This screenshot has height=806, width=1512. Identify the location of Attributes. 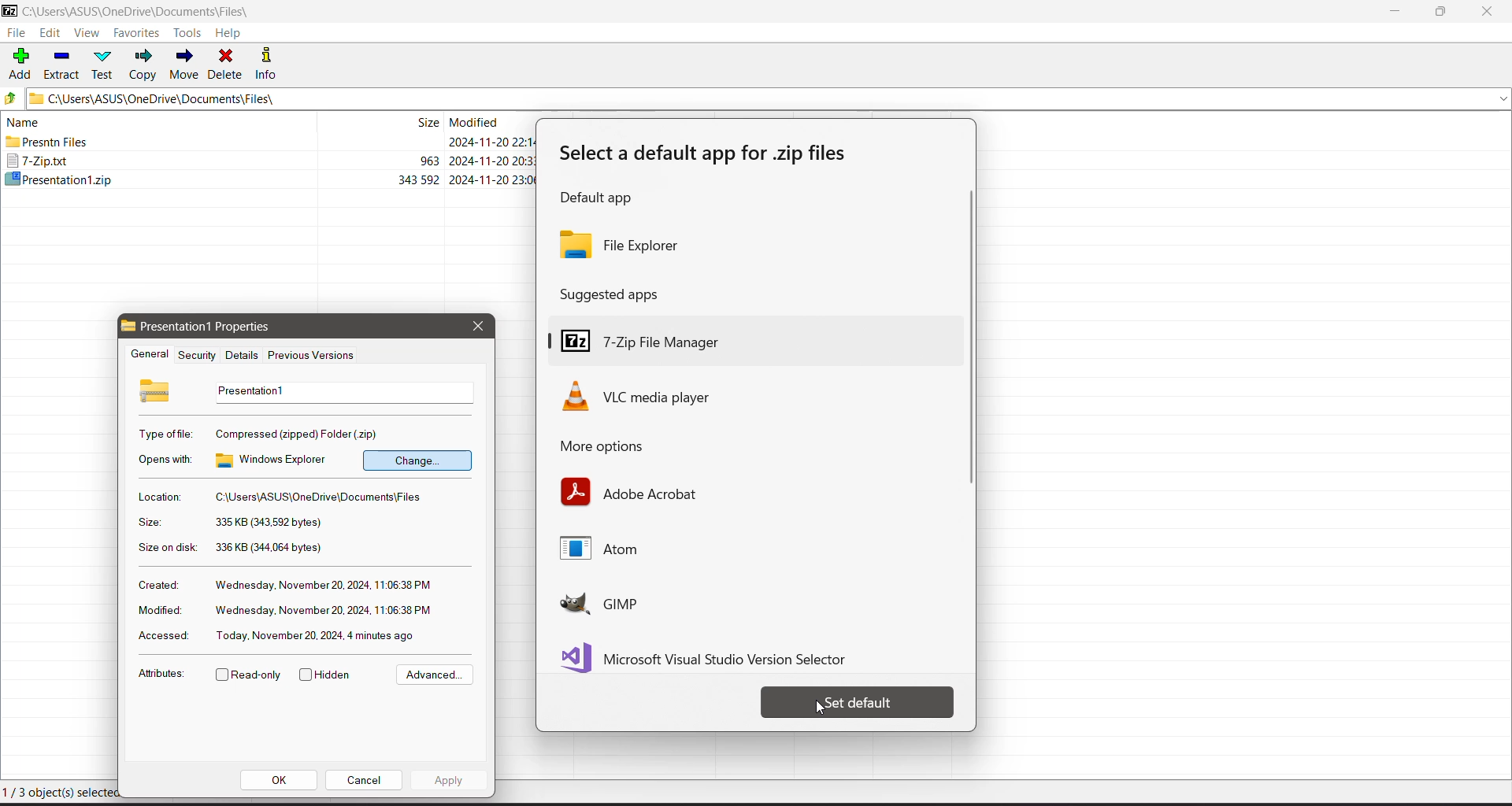
(161, 676).